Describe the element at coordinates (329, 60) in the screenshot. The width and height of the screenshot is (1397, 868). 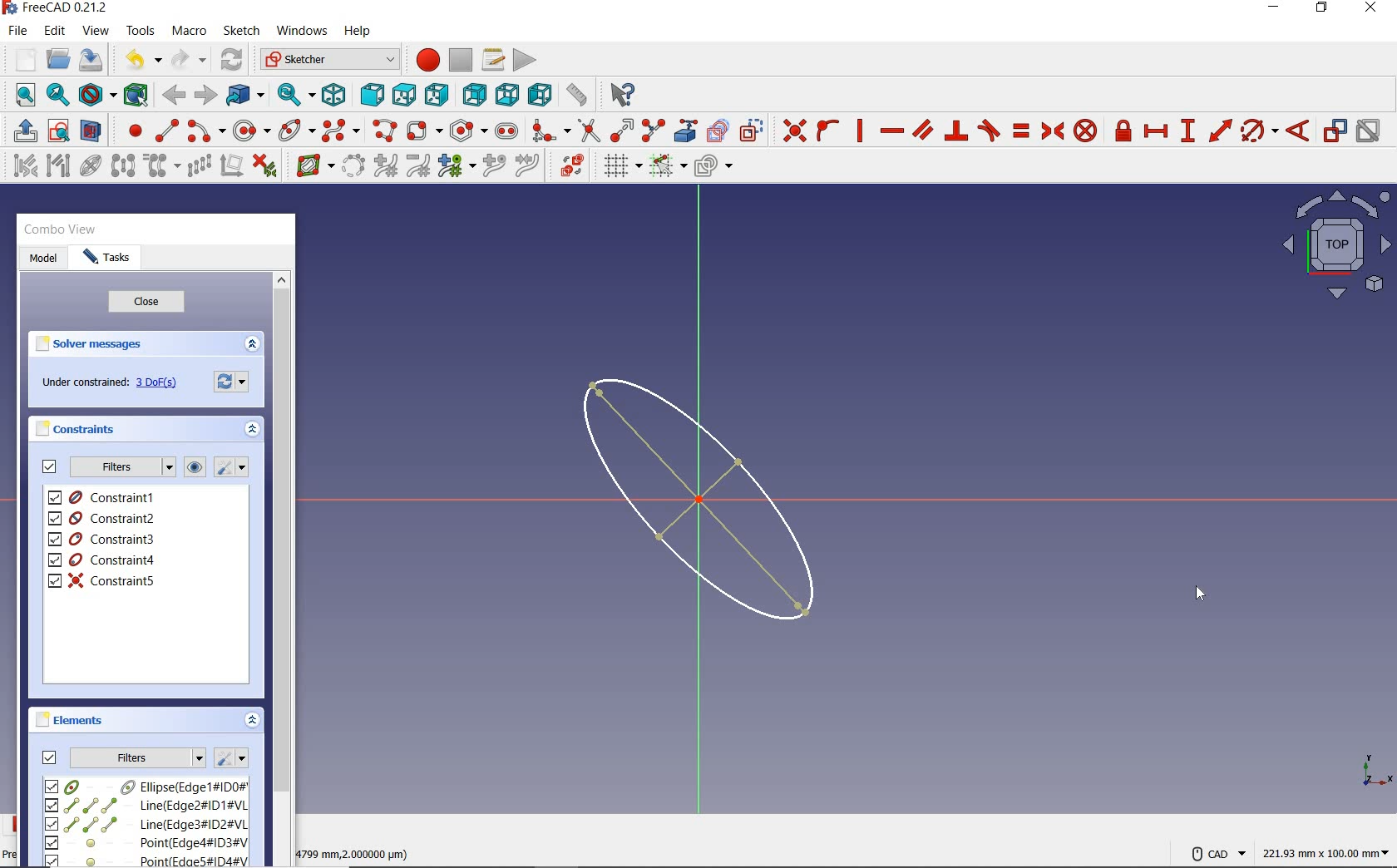
I see `switch between workbenches` at that location.